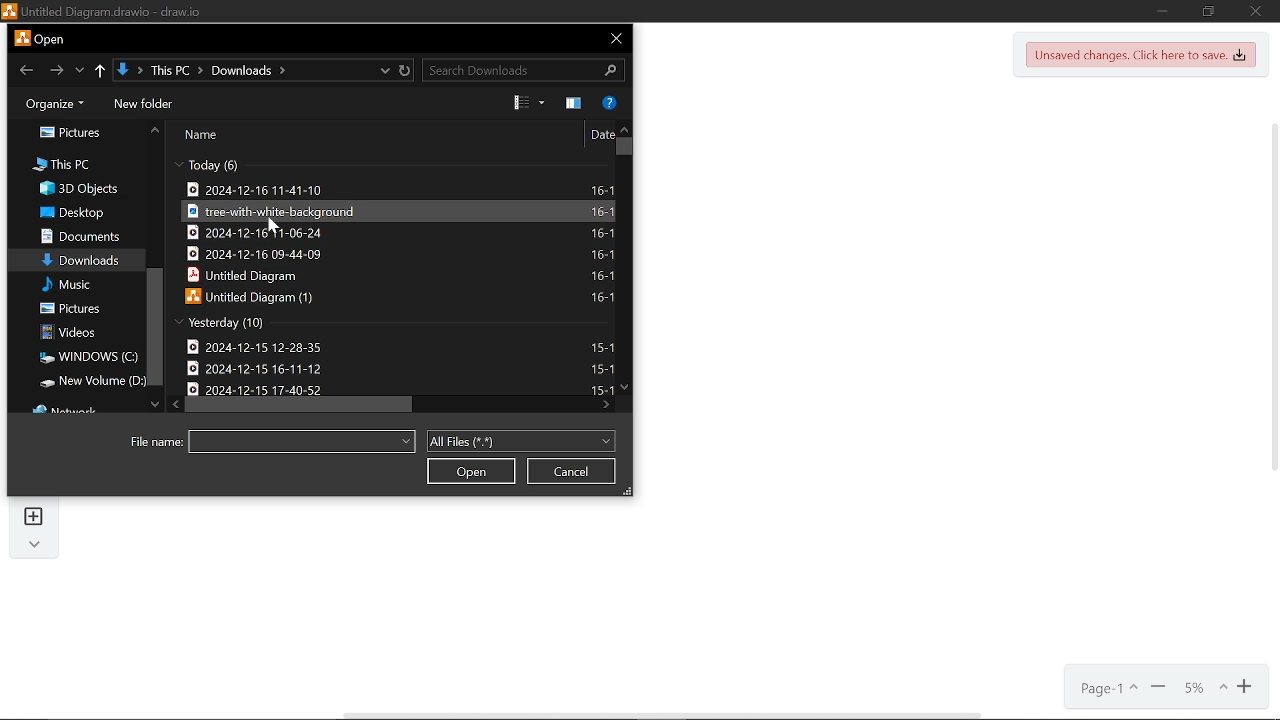 The height and width of the screenshot is (720, 1280). What do you see at coordinates (262, 324) in the screenshot?
I see `Creation date` at bounding box center [262, 324].